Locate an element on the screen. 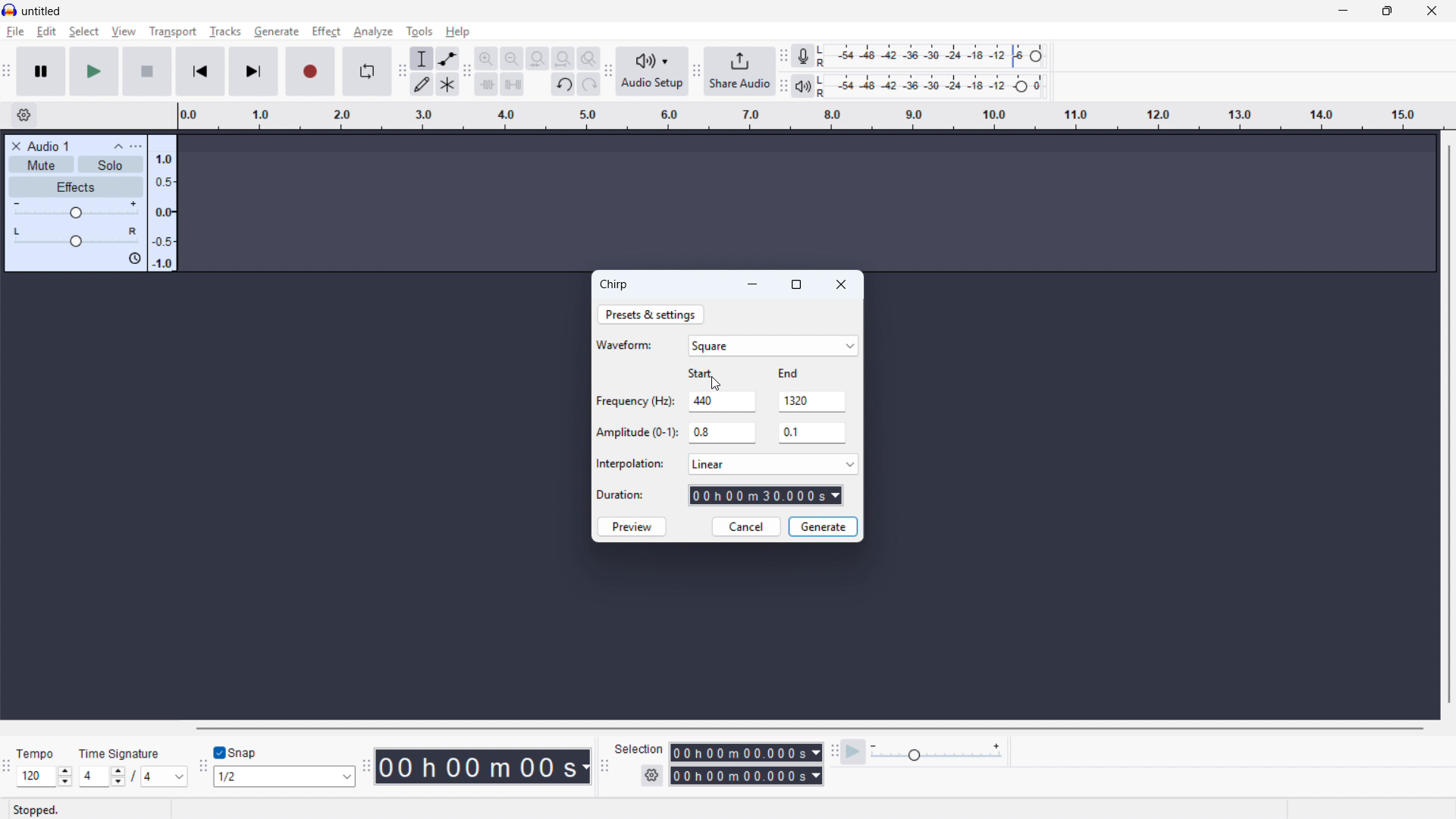  Effect  is located at coordinates (325, 31).